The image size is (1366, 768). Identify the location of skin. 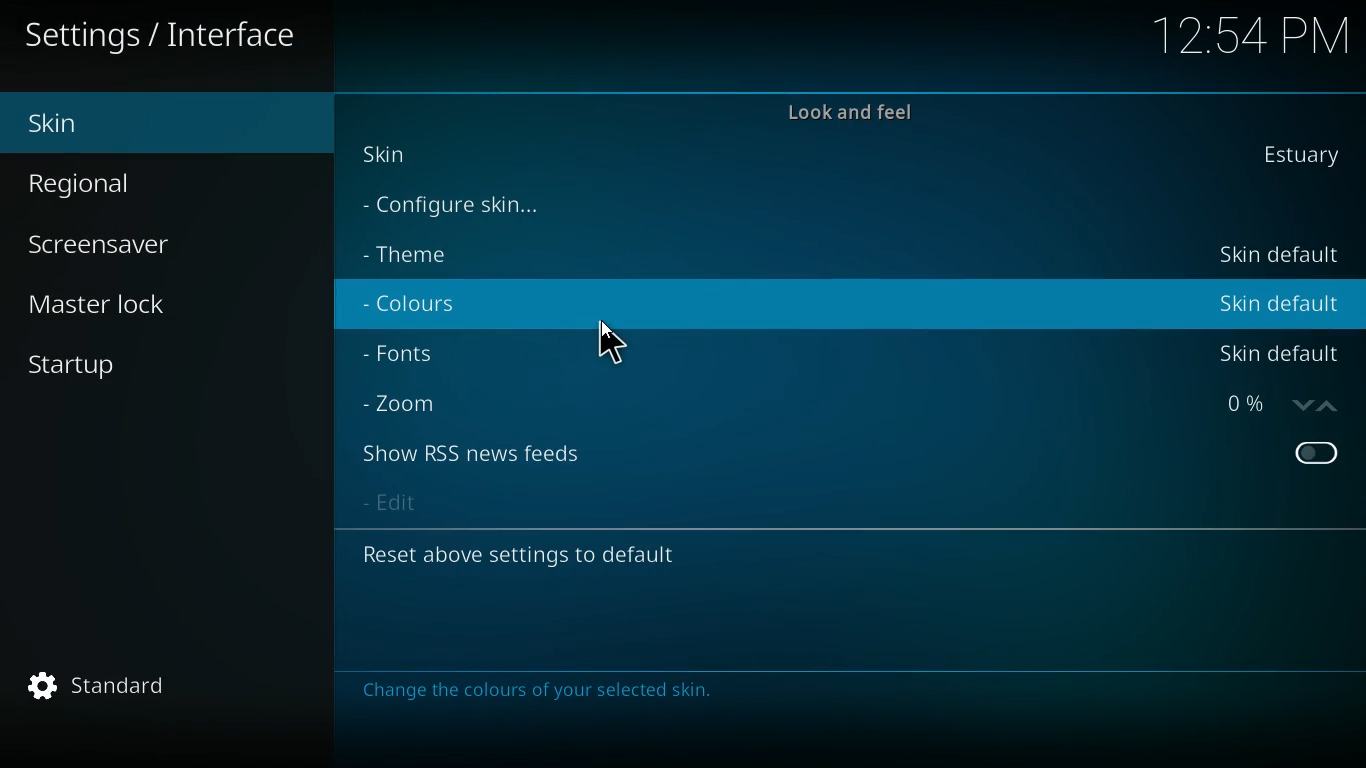
(131, 121).